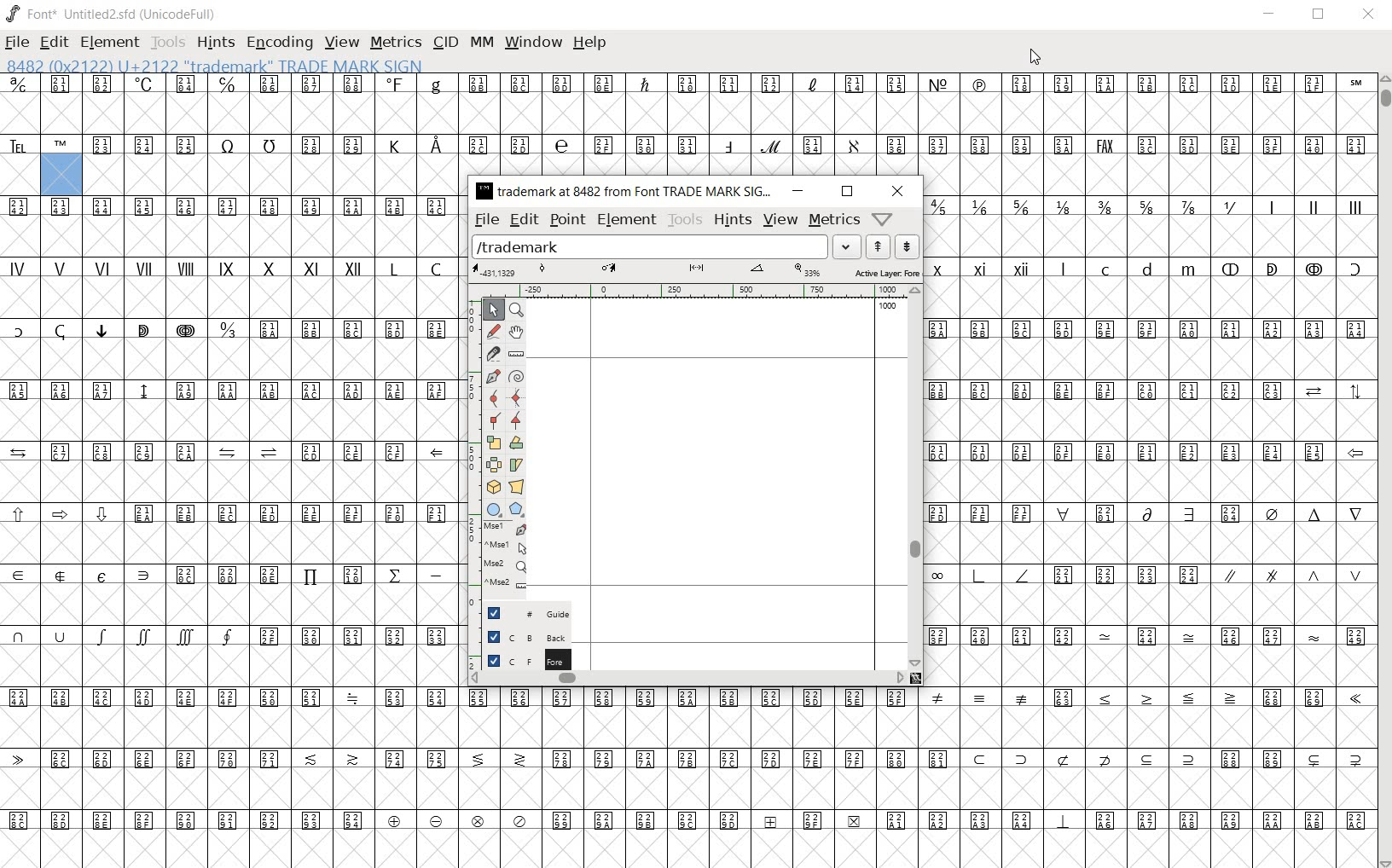  What do you see at coordinates (734, 220) in the screenshot?
I see `hints` at bounding box center [734, 220].